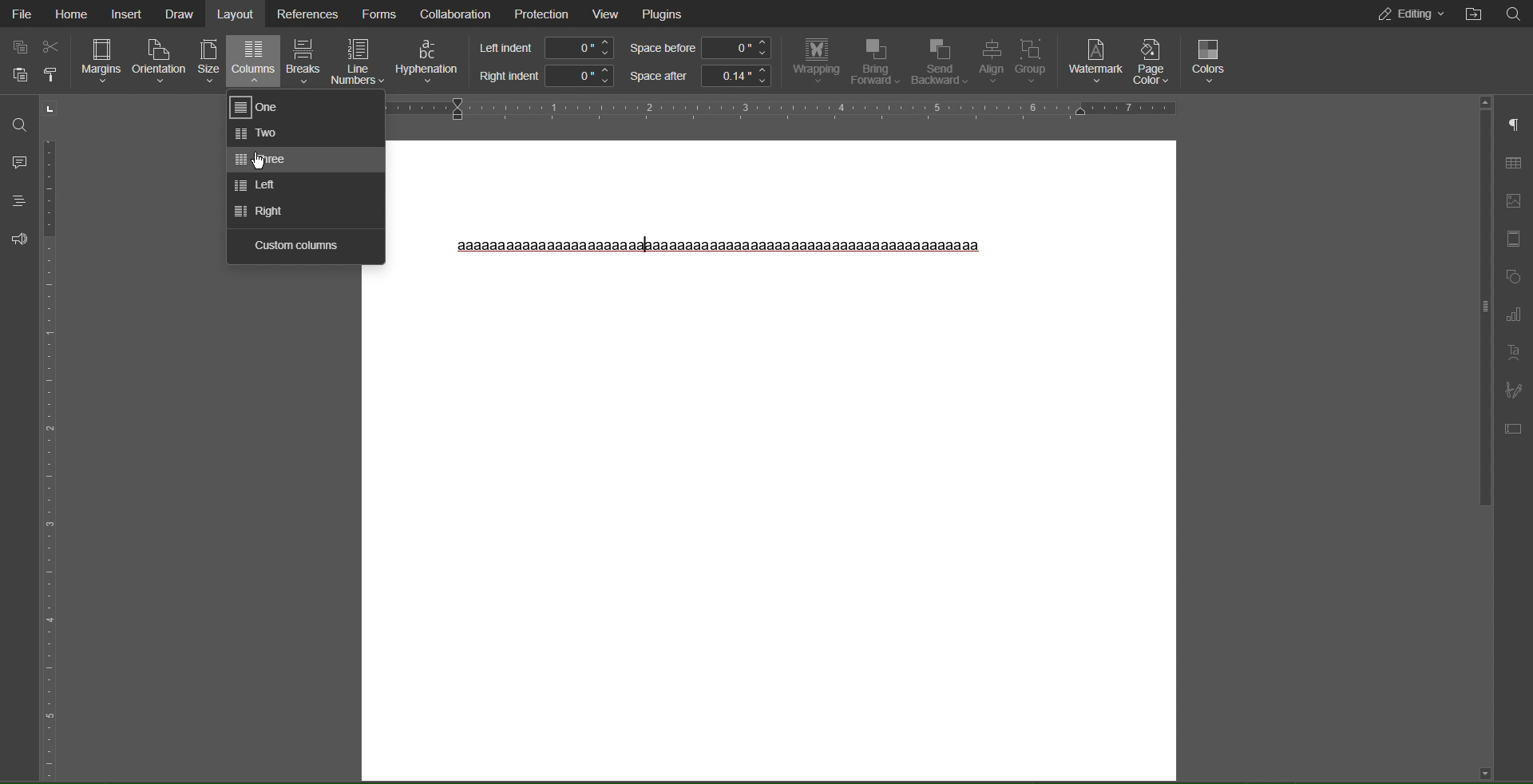 The width and height of the screenshot is (1533, 784). Describe the element at coordinates (543, 77) in the screenshot. I see `Right Indents` at that location.